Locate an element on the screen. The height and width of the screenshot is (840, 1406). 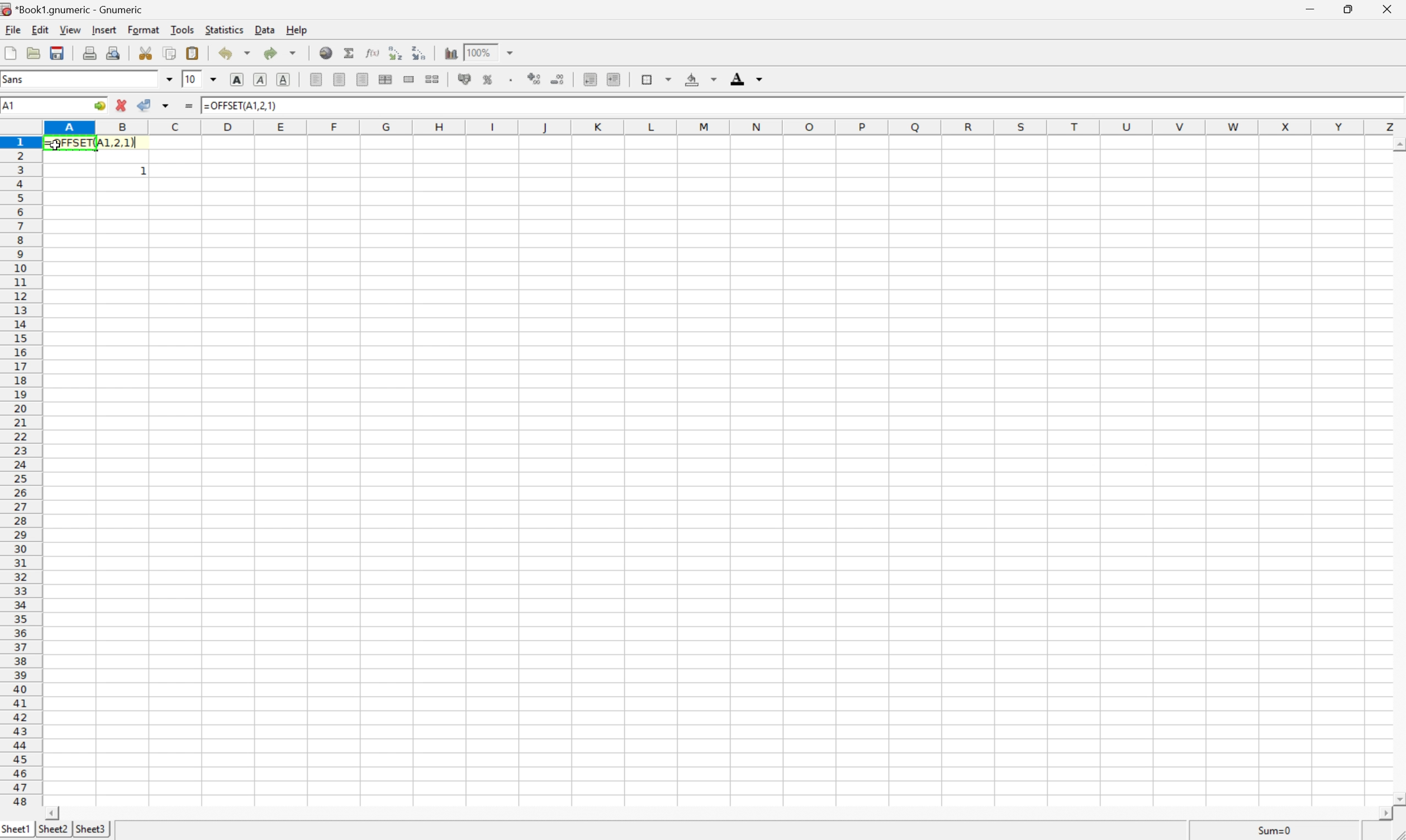
copy is located at coordinates (172, 50).